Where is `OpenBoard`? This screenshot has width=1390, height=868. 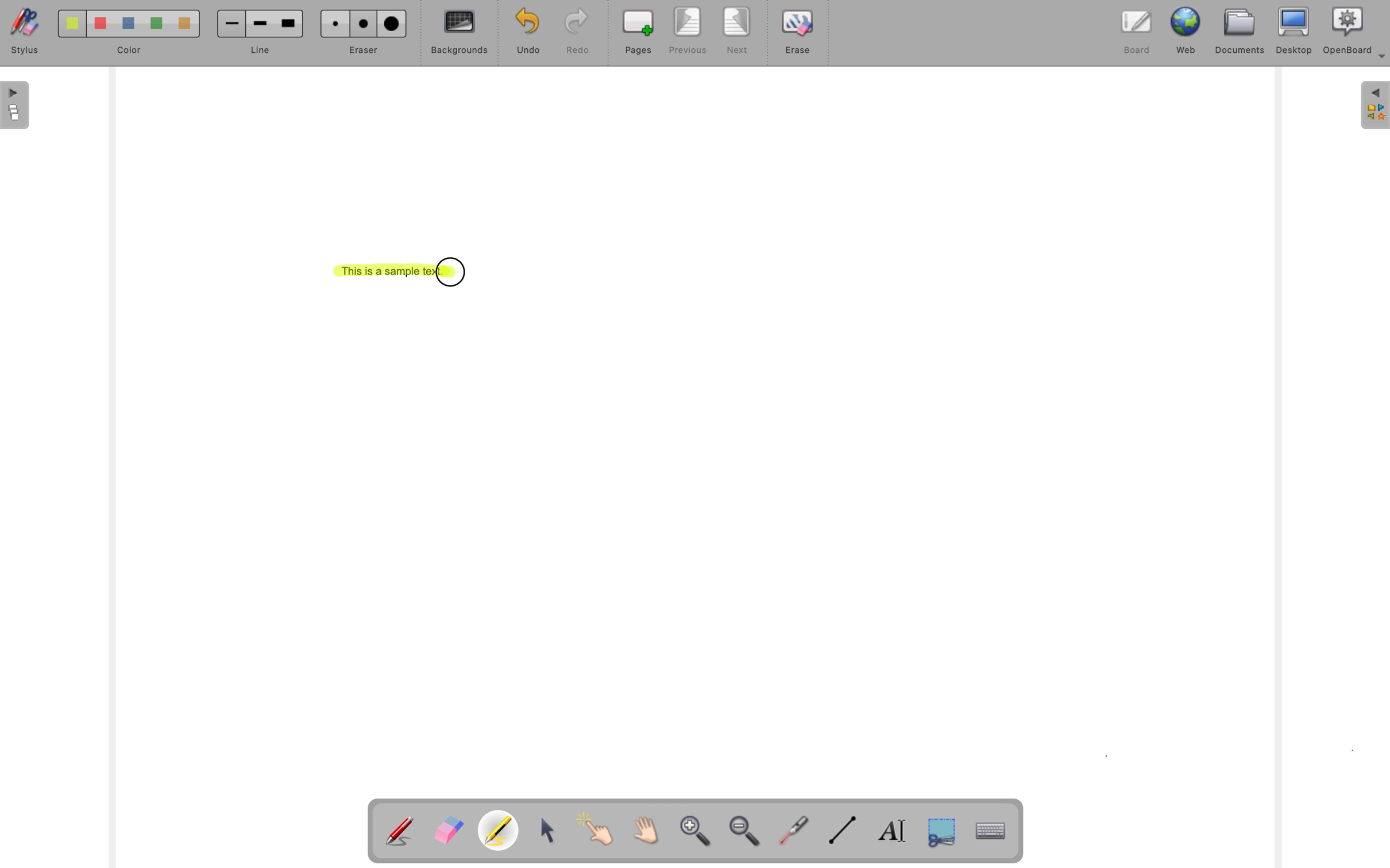
OpenBoard is located at coordinates (1355, 32).